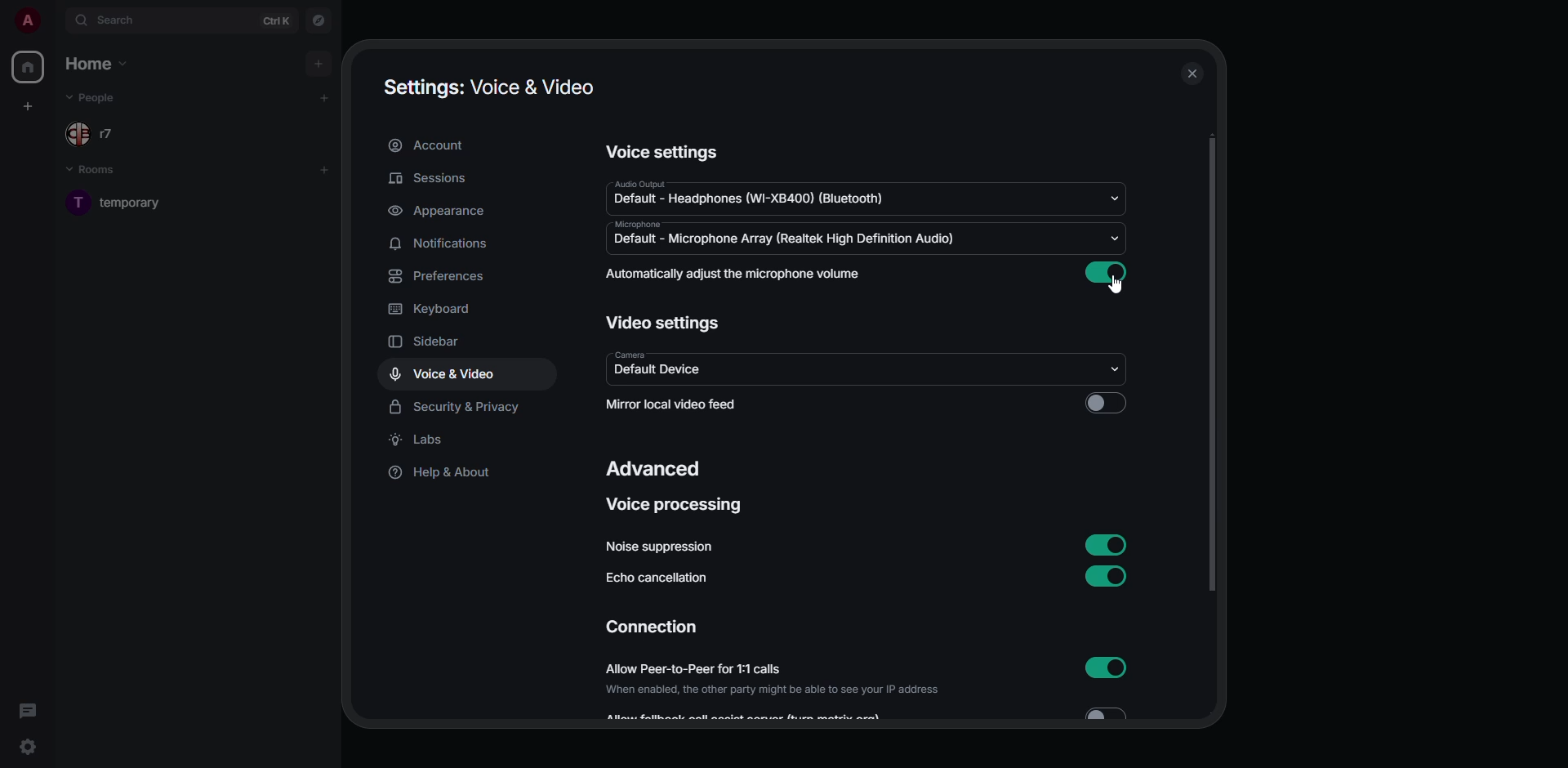 The width and height of the screenshot is (1568, 768). What do you see at coordinates (1117, 239) in the screenshot?
I see `drop down` at bounding box center [1117, 239].